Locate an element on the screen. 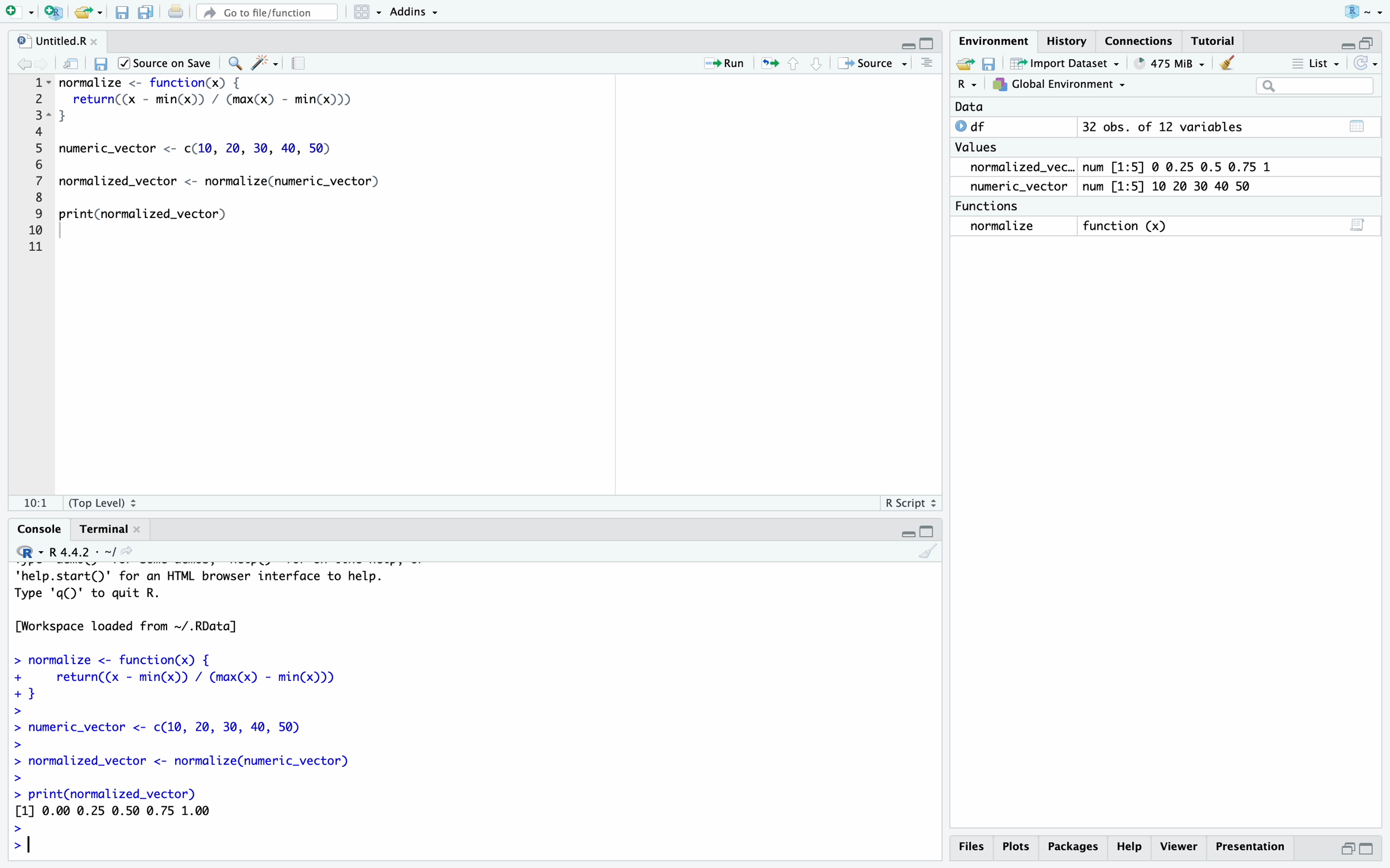 This screenshot has width=1390, height=868. Clear console (Ctrl + R) is located at coordinates (1227, 65).